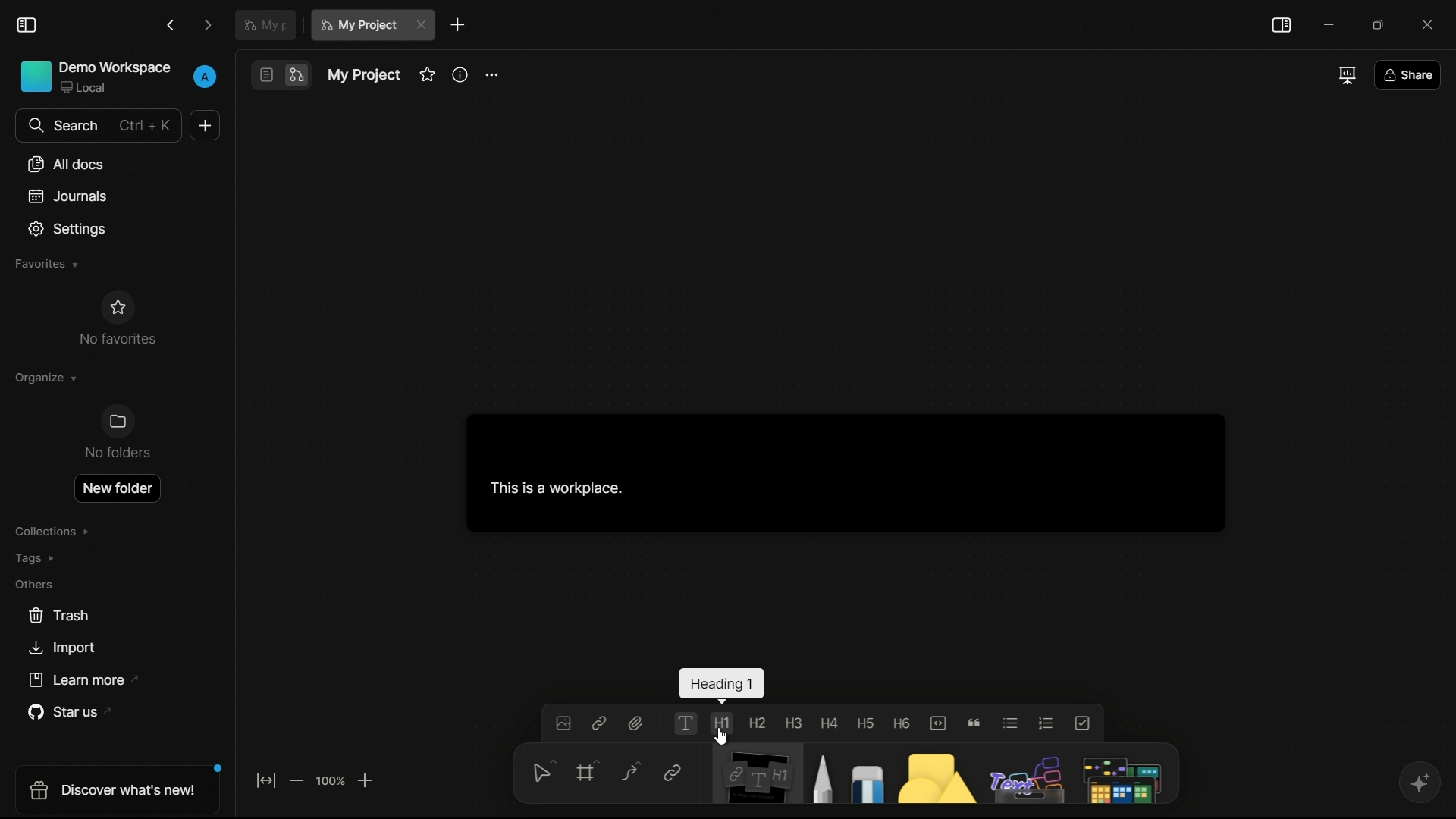  I want to click on all documents, so click(66, 164).